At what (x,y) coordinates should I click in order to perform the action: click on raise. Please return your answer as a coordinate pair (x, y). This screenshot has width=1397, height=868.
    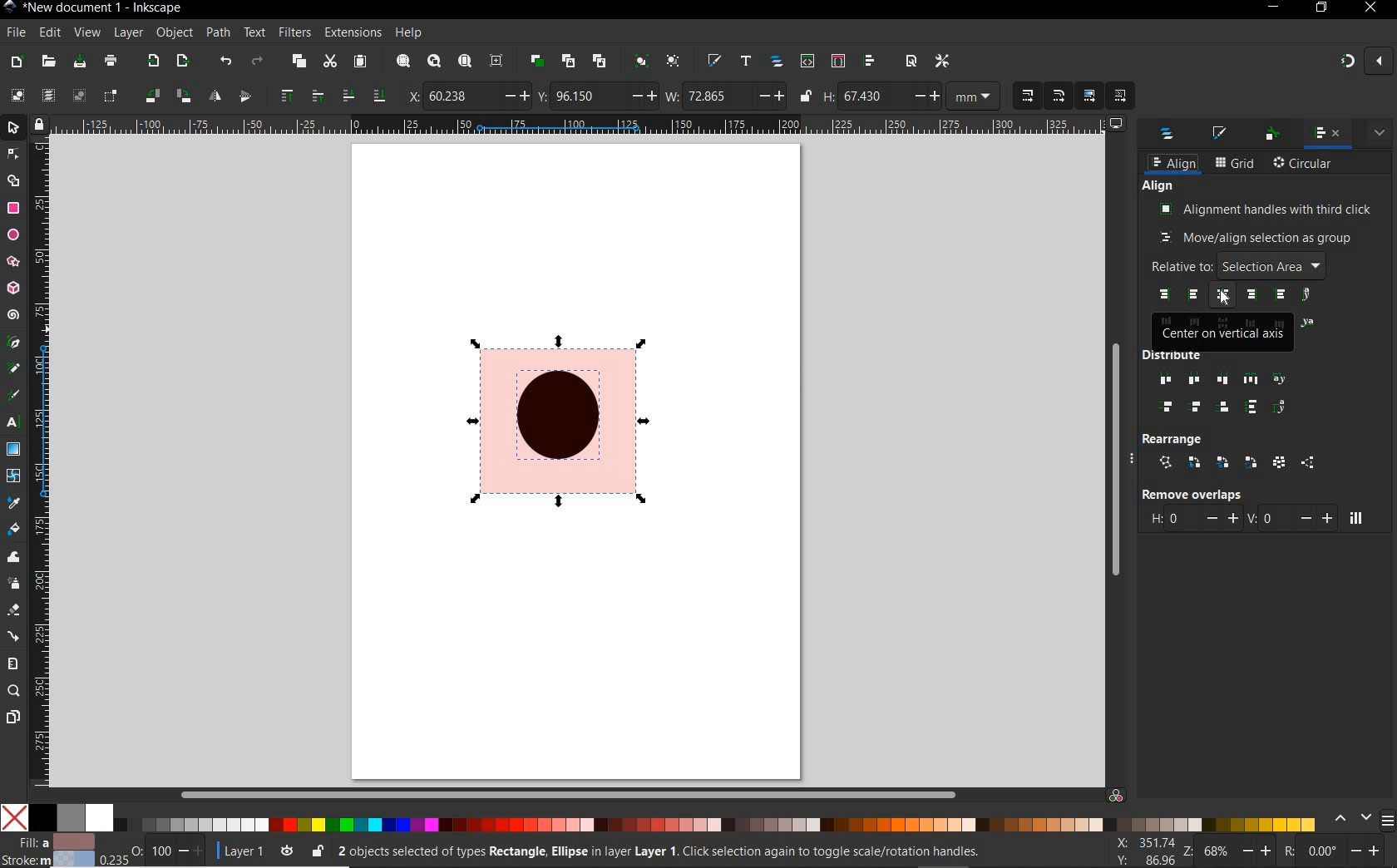
    Looking at the image, I should click on (316, 94).